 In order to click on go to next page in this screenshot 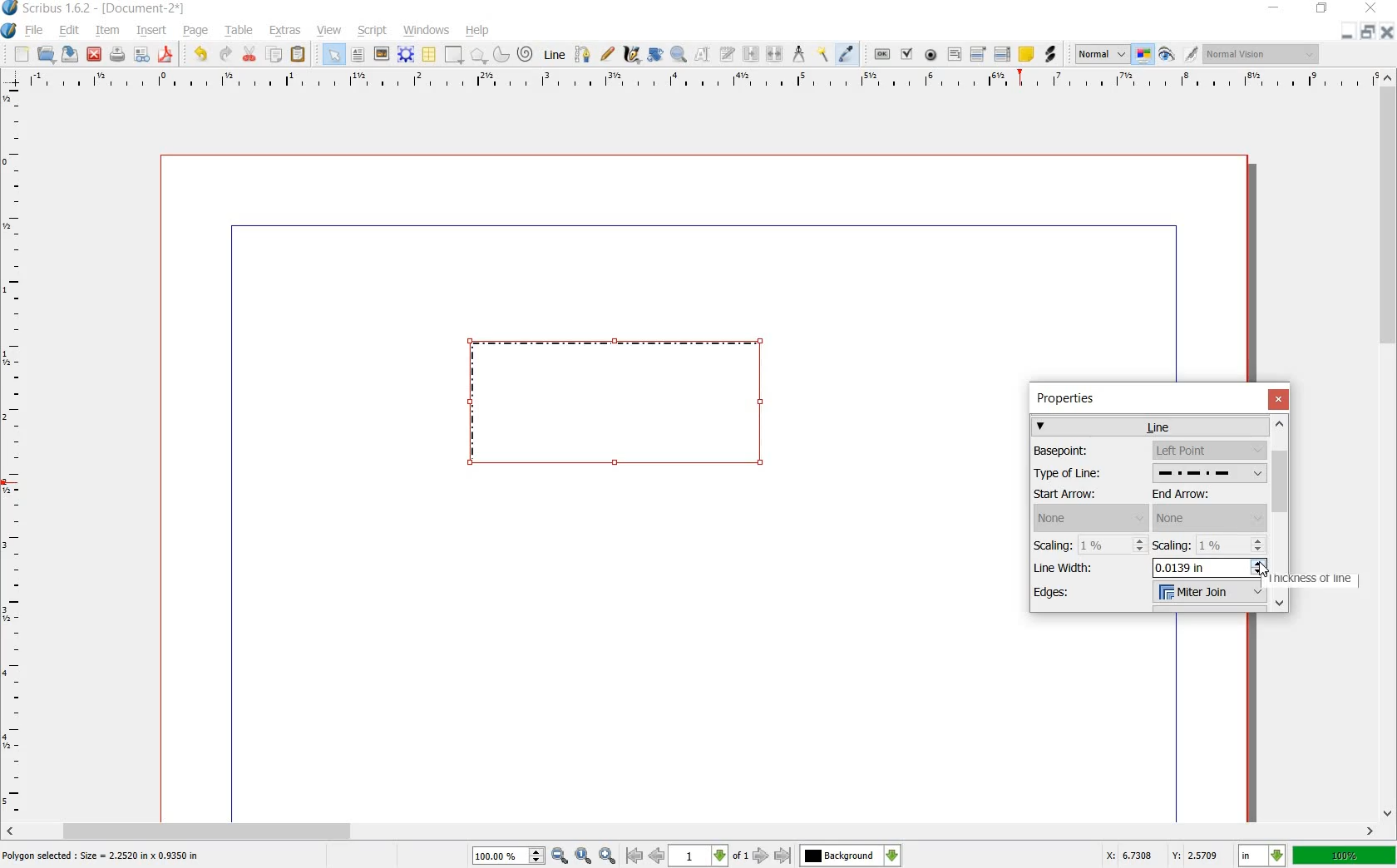, I will do `click(763, 856)`.